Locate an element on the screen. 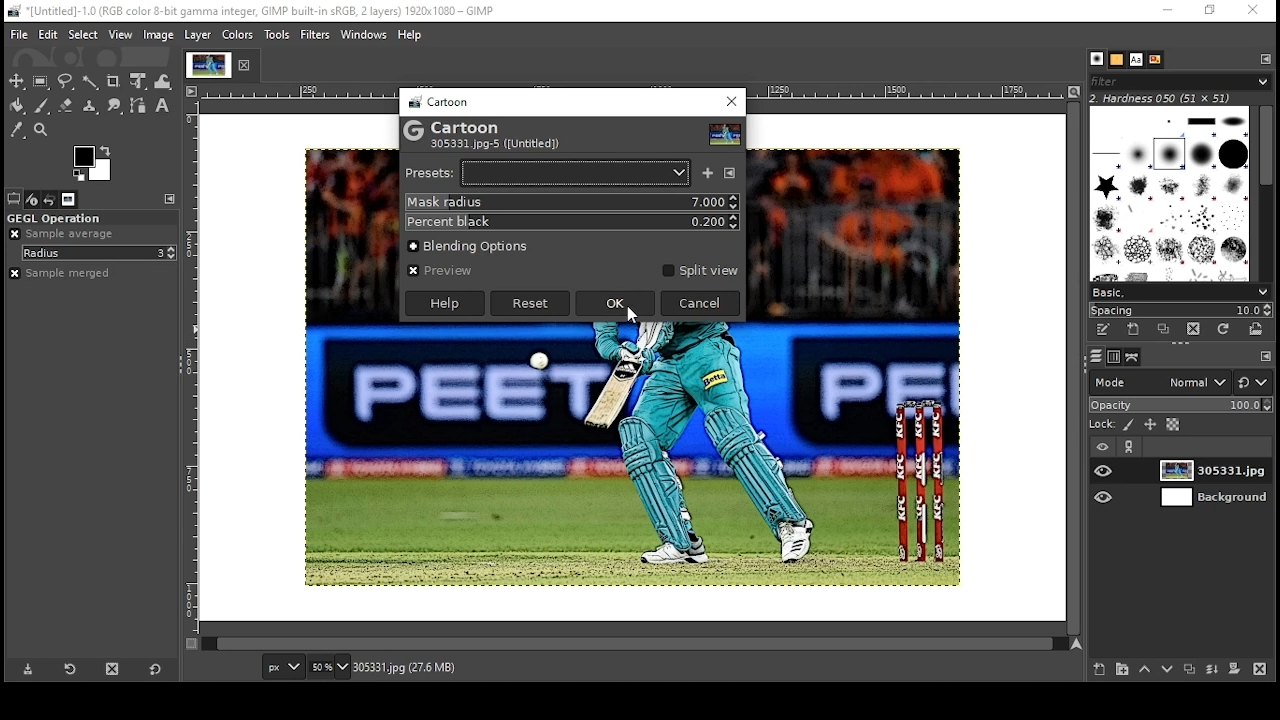 The width and height of the screenshot is (1280, 720). layer visibility is located at coordinates (1105, 447).